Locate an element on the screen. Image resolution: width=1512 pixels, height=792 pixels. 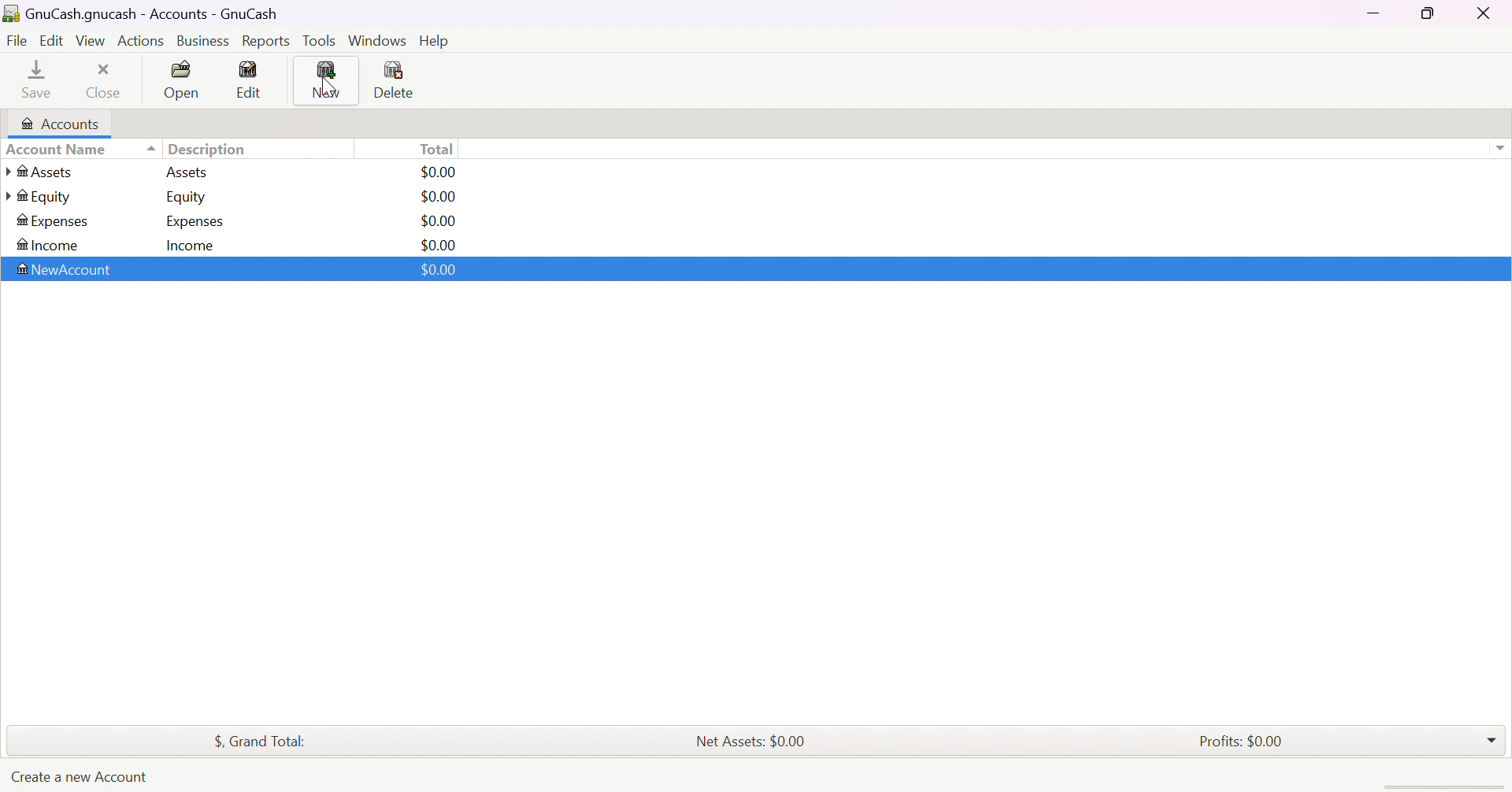
Income is located at coordinates (192, 246).